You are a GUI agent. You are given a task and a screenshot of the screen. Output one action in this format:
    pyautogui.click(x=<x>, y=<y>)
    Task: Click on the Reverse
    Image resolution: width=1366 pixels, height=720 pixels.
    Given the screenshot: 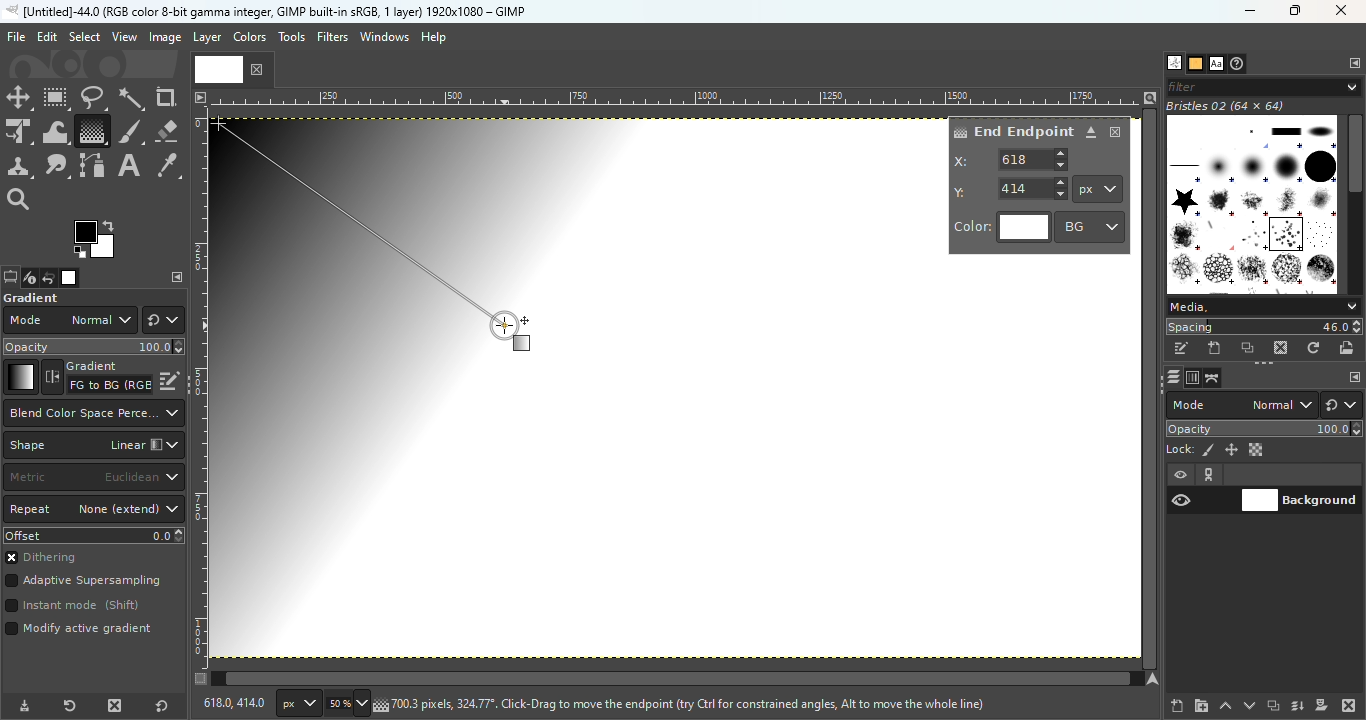 What is the action you would take?
    pyautogui.click(x=97, y=377)
    